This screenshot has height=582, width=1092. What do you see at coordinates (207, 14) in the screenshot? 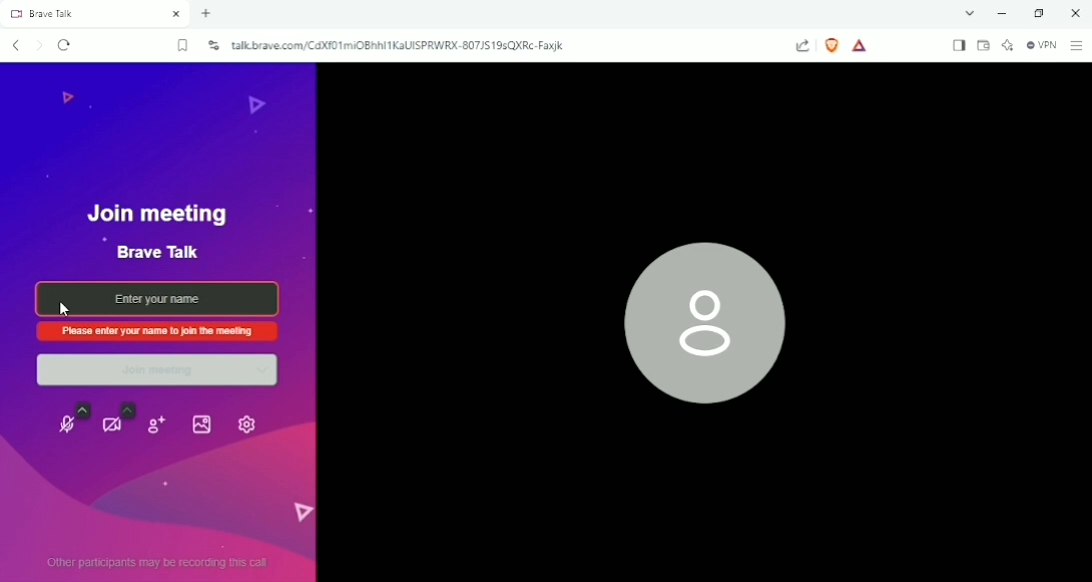
I see `New tab` at bounding box center [207, 14].